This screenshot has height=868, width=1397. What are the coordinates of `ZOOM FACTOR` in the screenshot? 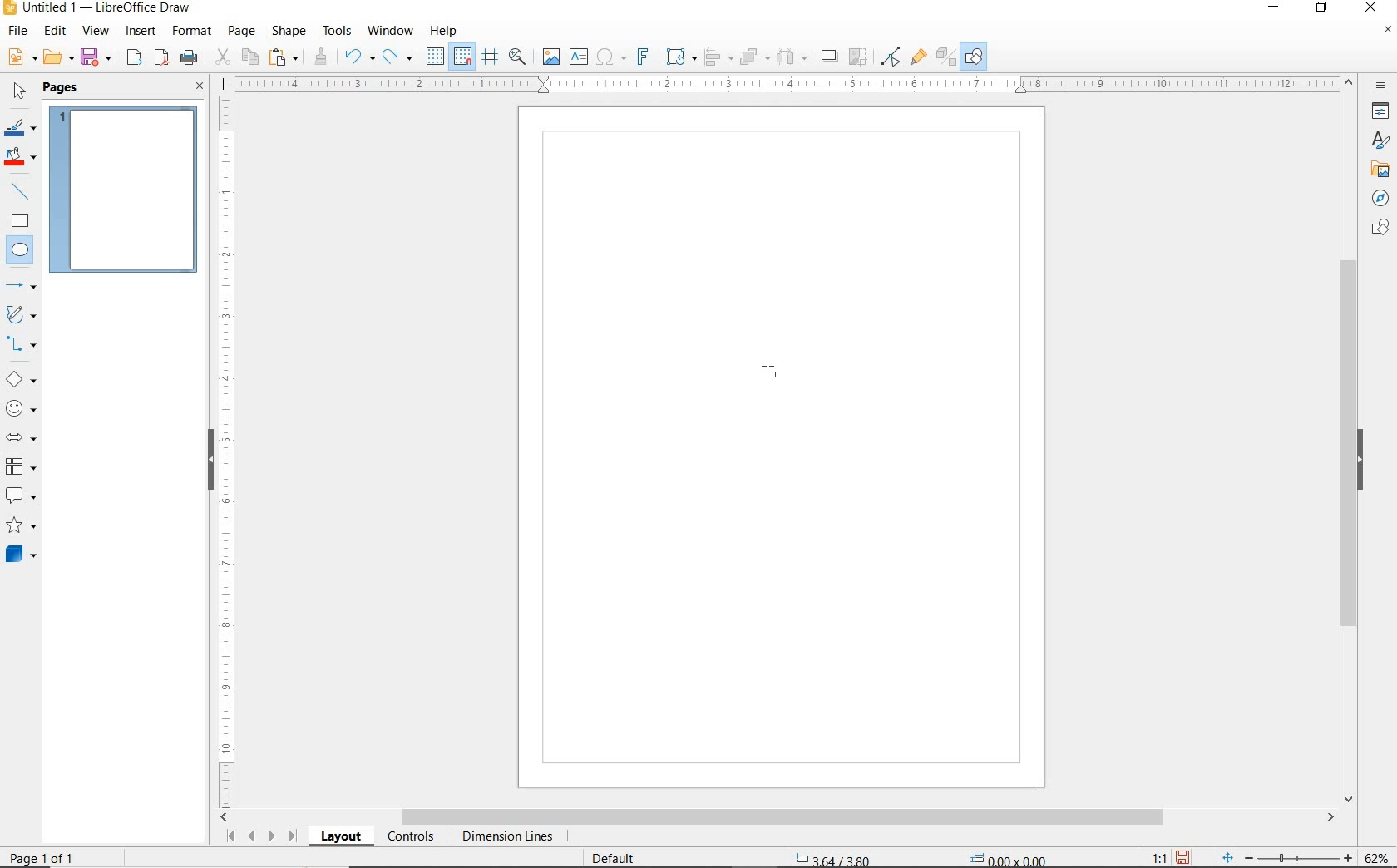 It's located at (1377, 855).